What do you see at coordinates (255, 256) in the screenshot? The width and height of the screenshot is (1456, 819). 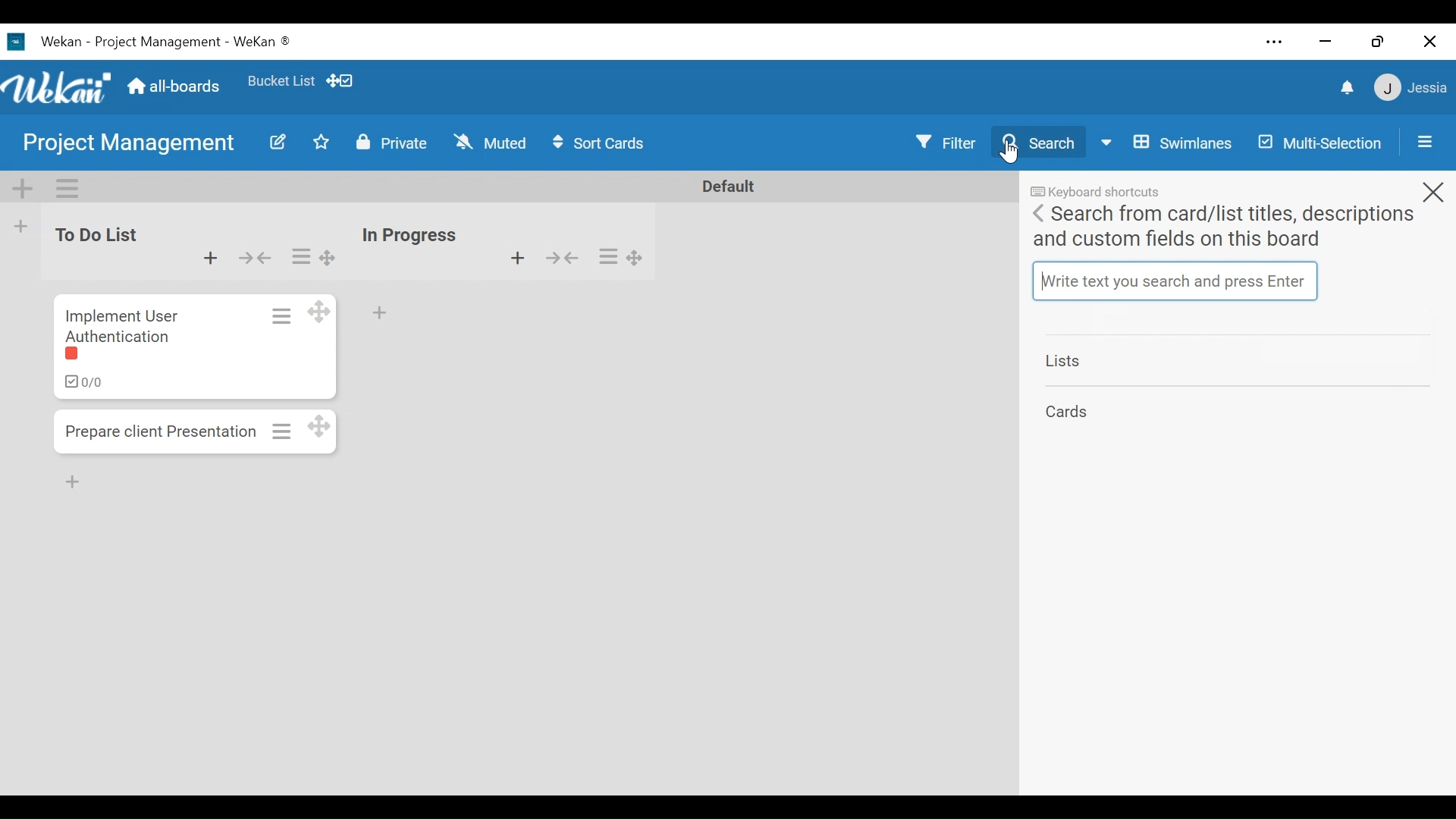 I see `collapse` at bounding box center [255, 256].